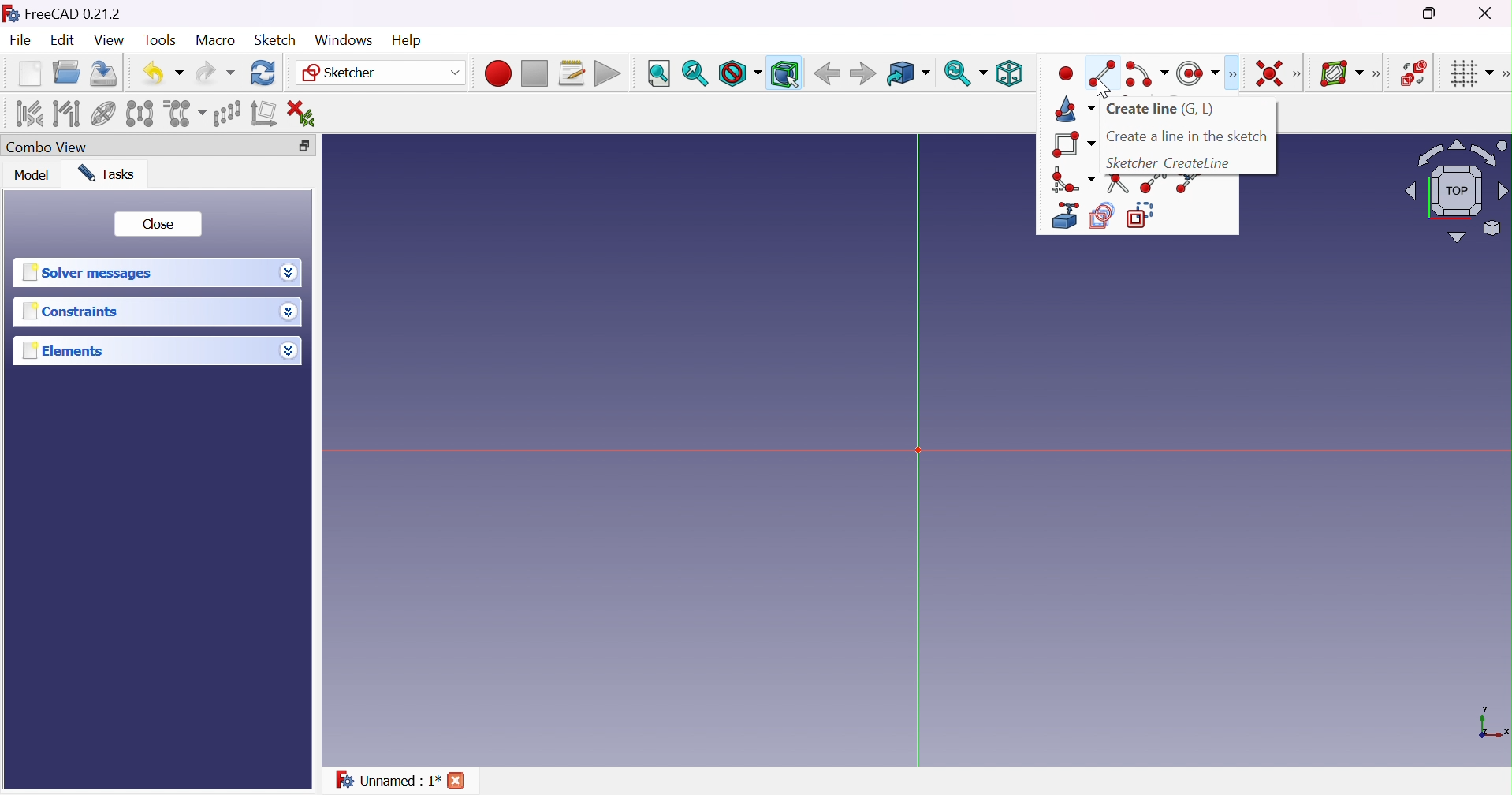 This screenshot has height=795, width=1512. Describe the element at coordinates (1381, 76) in the screenshot. I see `Sketcher B-spline tools` at that location.